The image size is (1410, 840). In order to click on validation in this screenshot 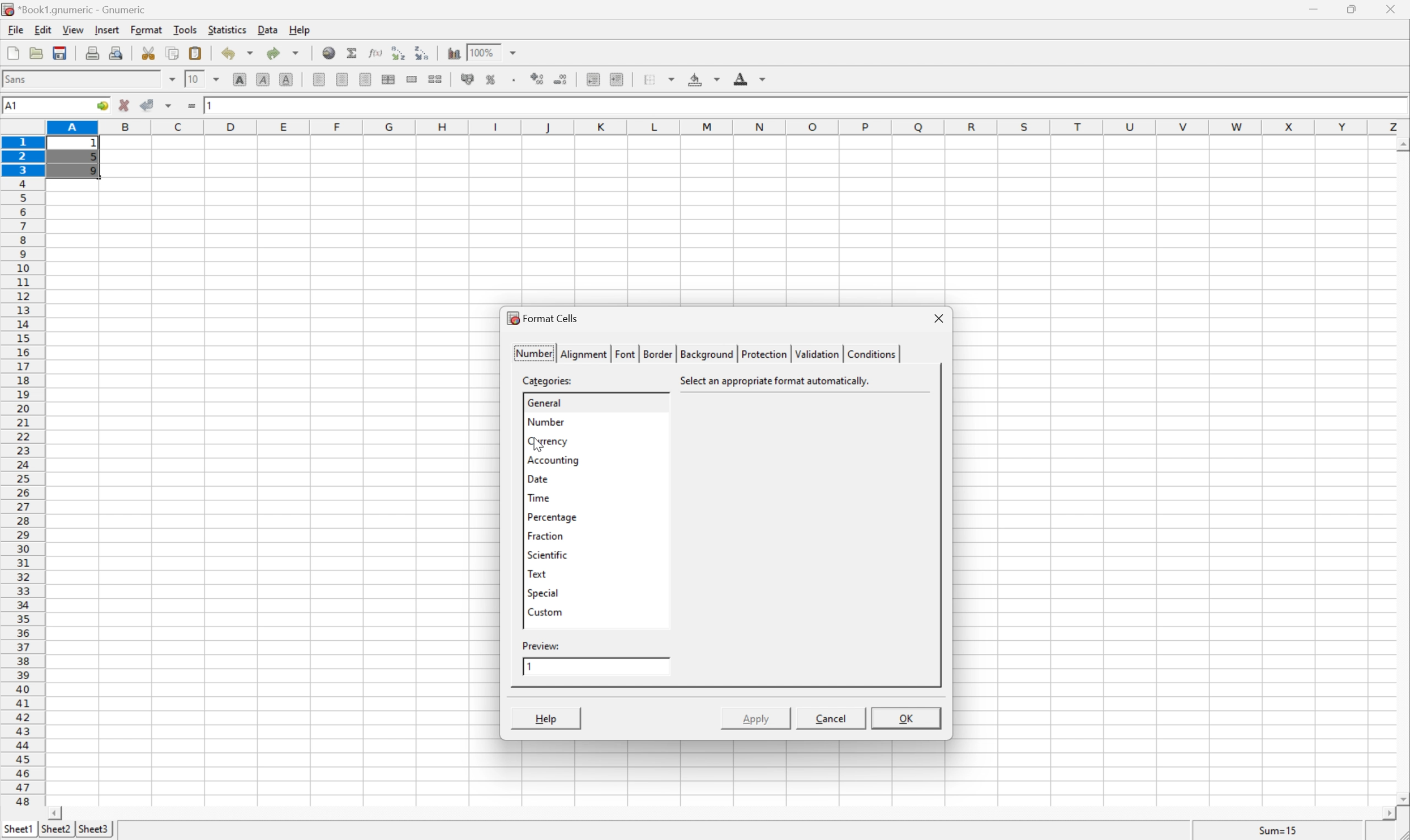, I will do `click(815, 354)`.